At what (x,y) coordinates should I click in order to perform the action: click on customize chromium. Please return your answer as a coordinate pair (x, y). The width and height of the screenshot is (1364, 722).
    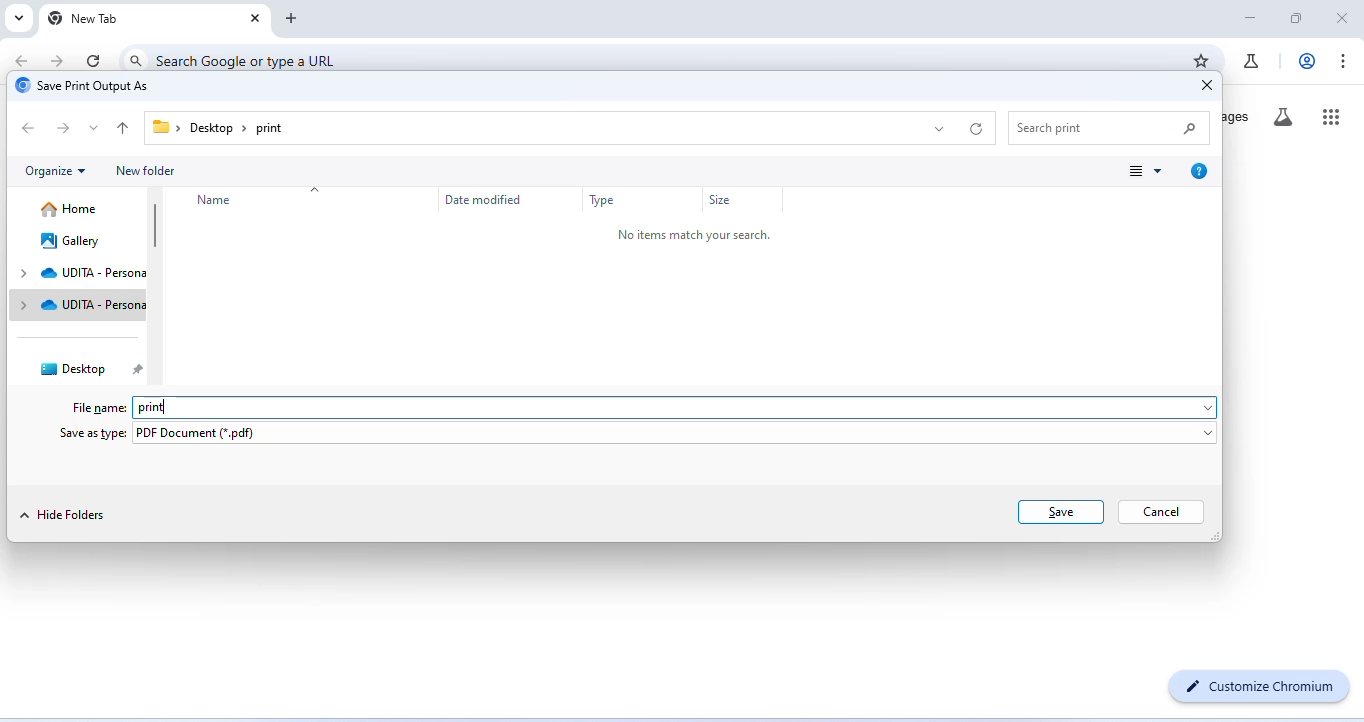
    Looking at the image, I should click on (1263, 685).